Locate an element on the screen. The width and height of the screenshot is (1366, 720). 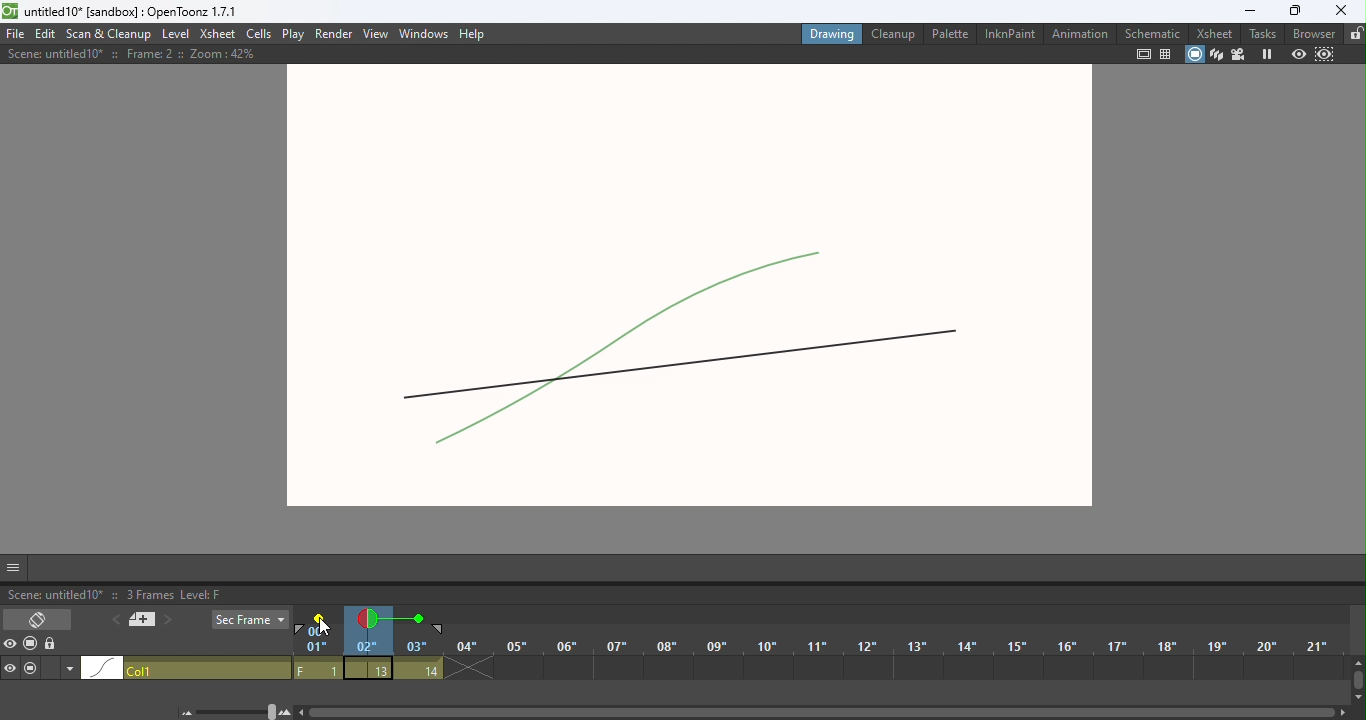
Vertical scroll bar is located at coordinates (1356, 682).